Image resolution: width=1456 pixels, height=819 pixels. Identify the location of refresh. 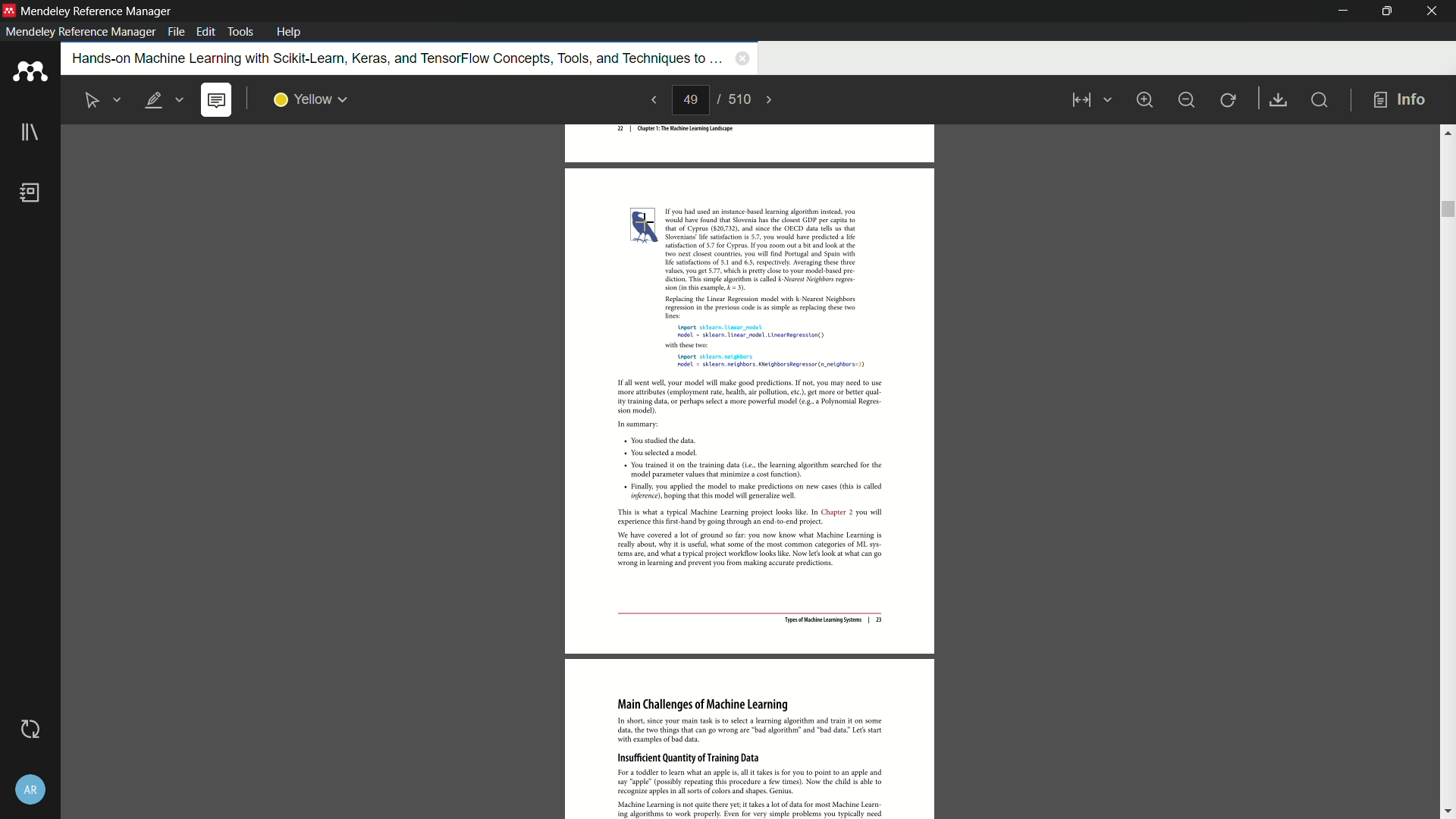
(1229, 99).